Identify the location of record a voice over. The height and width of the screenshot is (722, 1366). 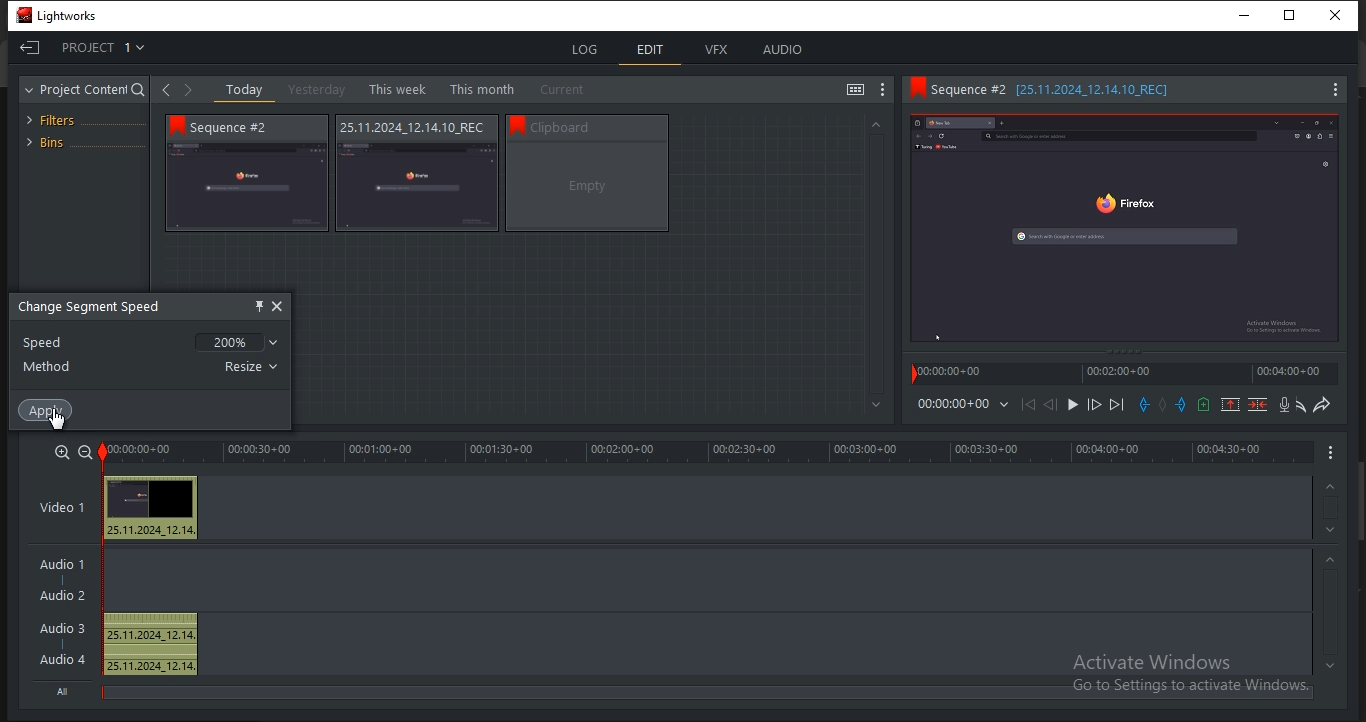
(1281, 404).